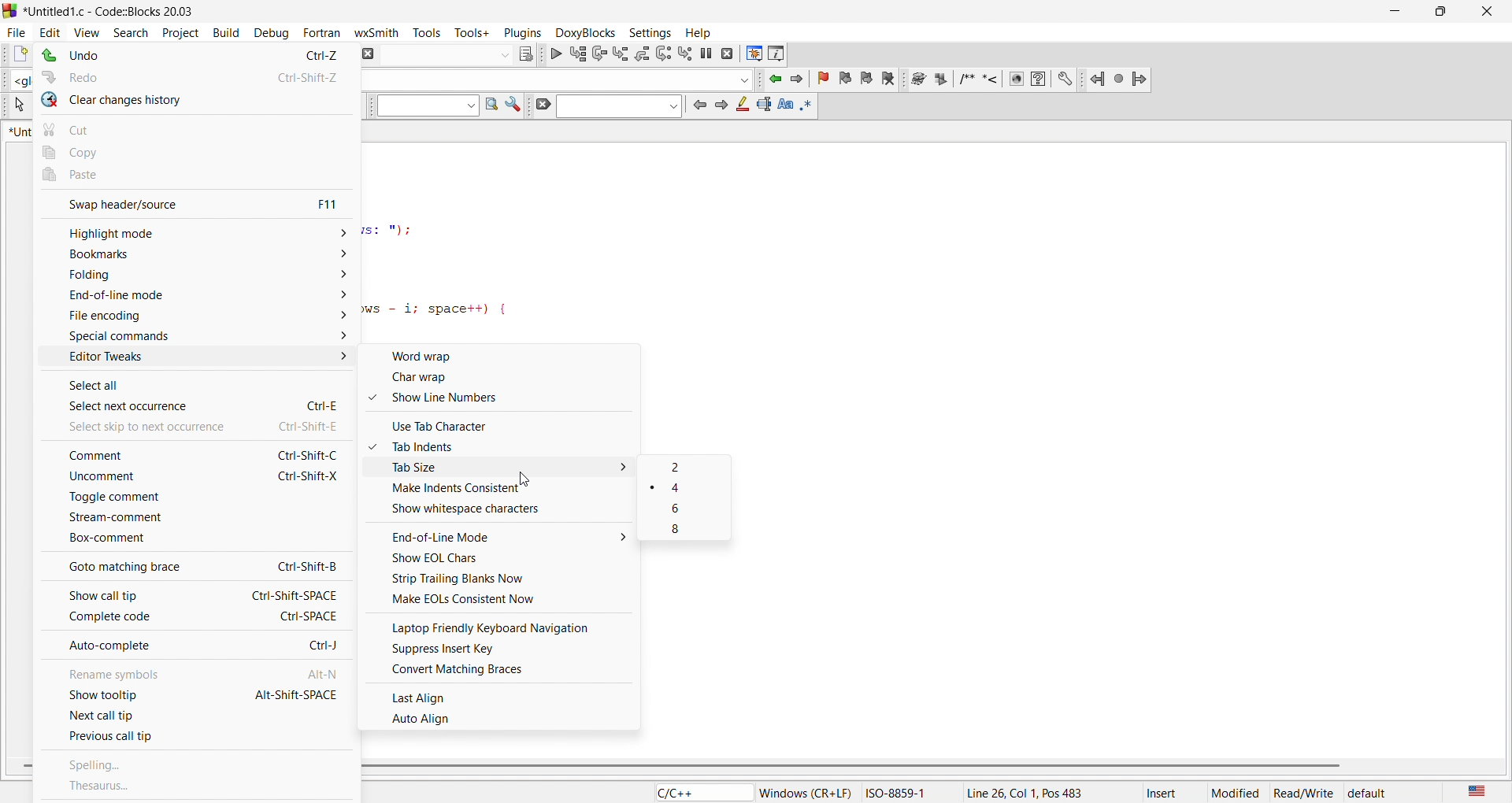 Image resolution: width=1512 pixels, height=803 pixels. Describe the element at coordinates (643, 52) in the screenshot. I see `debugging icon` at that location.